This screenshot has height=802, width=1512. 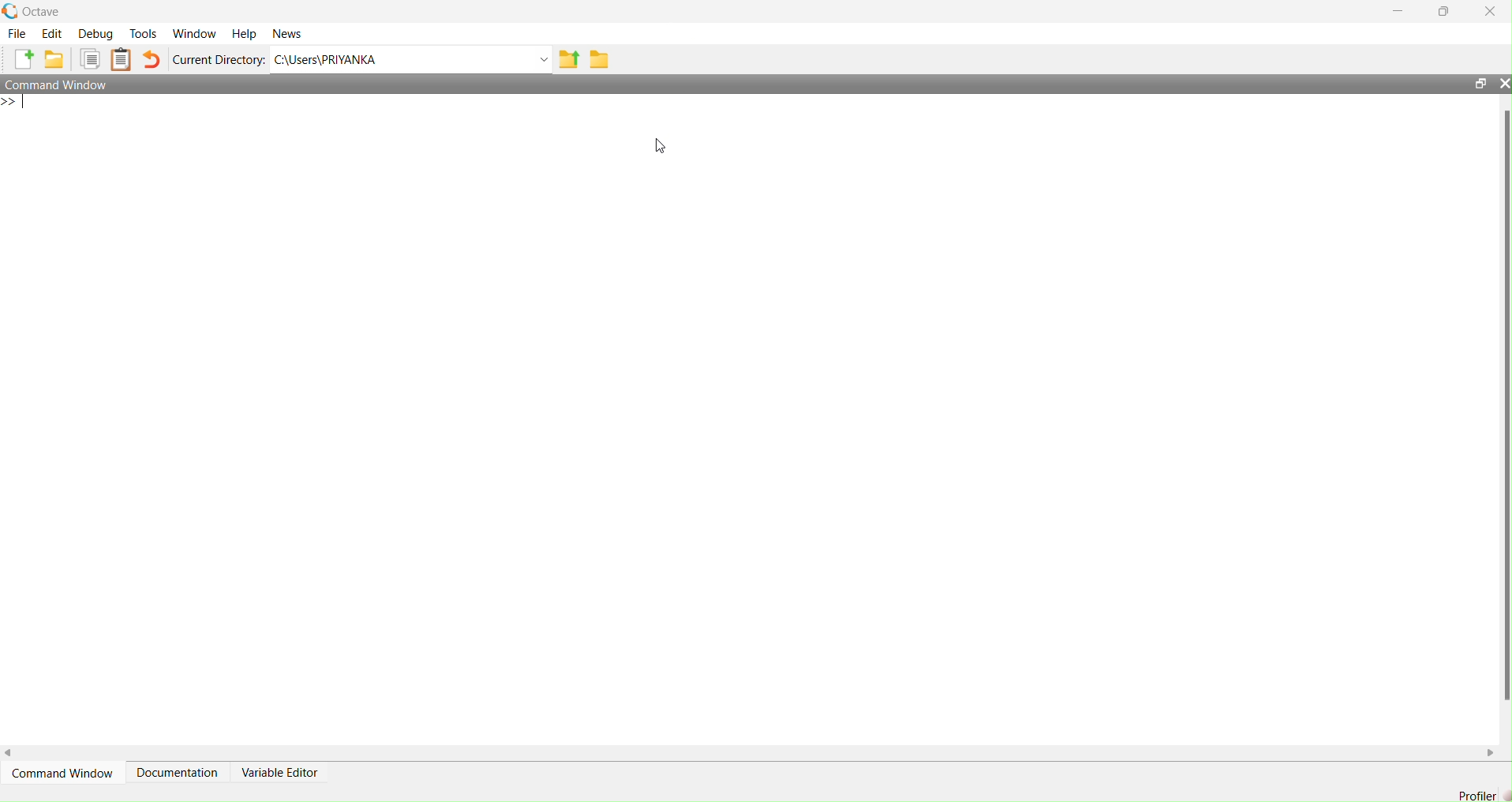 I want to click on cursor, so click(x=659, y=148).